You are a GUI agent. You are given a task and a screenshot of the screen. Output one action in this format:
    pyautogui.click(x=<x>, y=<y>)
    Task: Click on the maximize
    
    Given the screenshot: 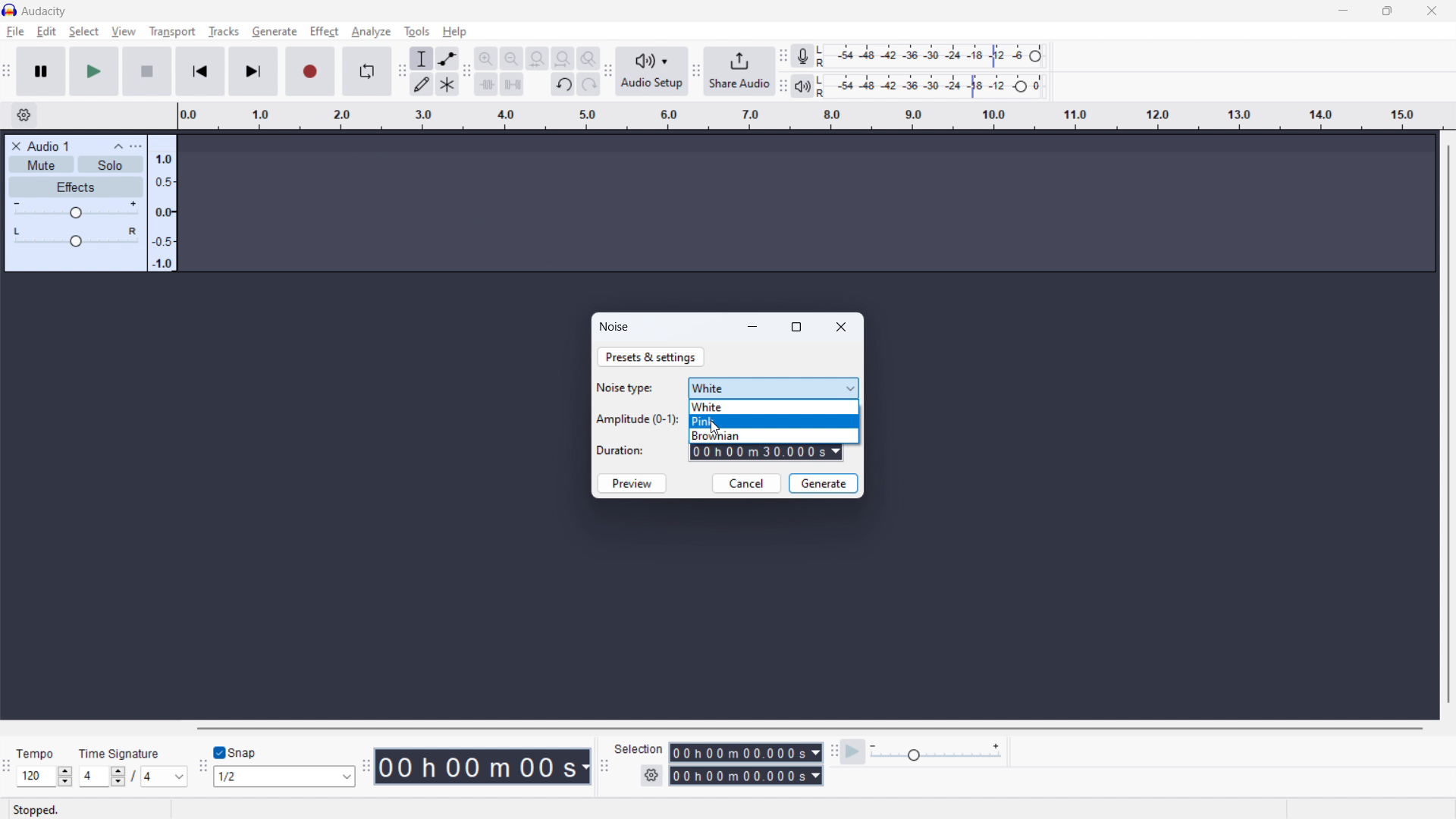 What is the action you would take?
    pyautogui.click(x=796, y=328)
    